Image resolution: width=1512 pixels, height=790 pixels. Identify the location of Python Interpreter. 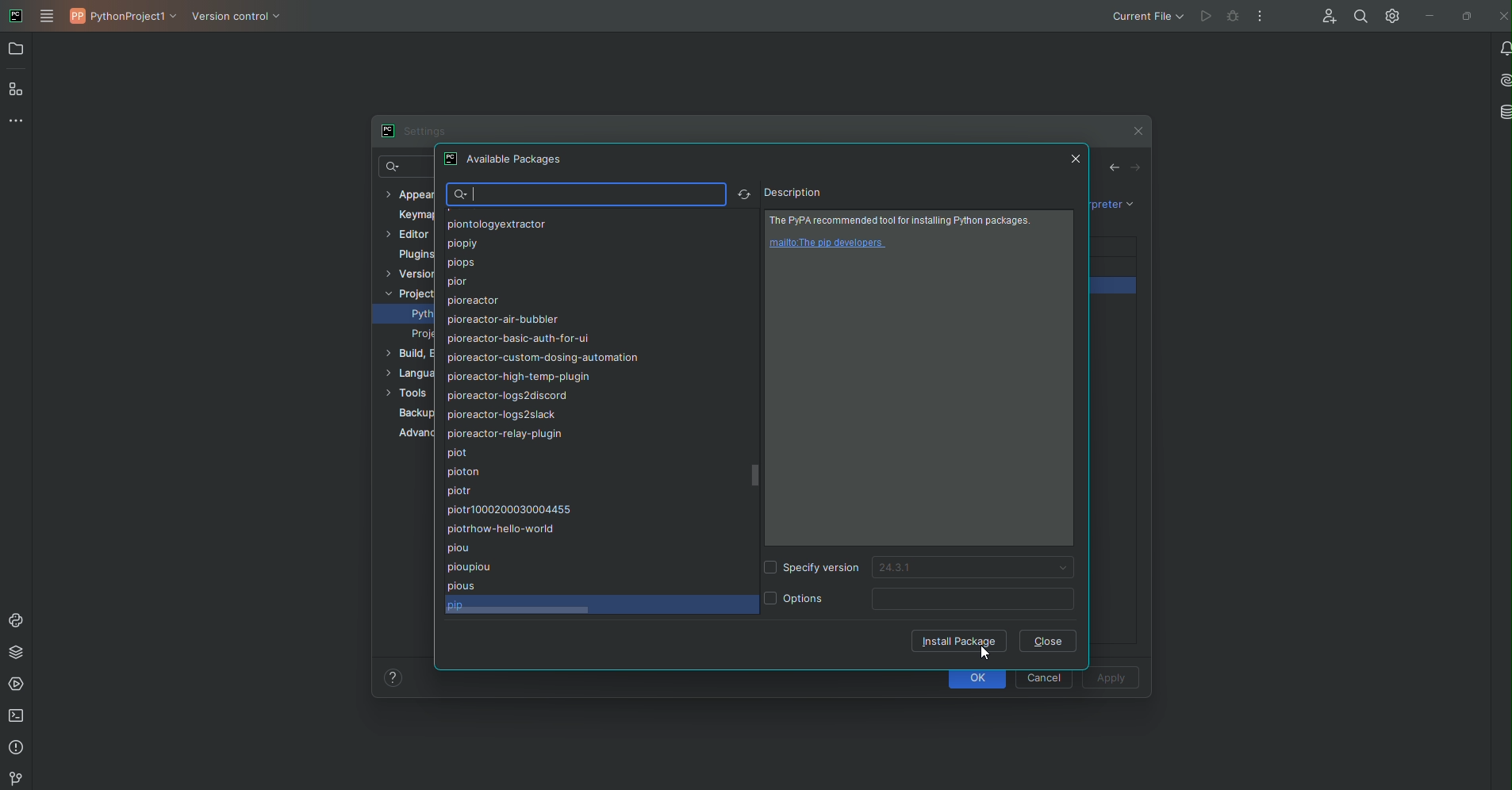
(422, 315).